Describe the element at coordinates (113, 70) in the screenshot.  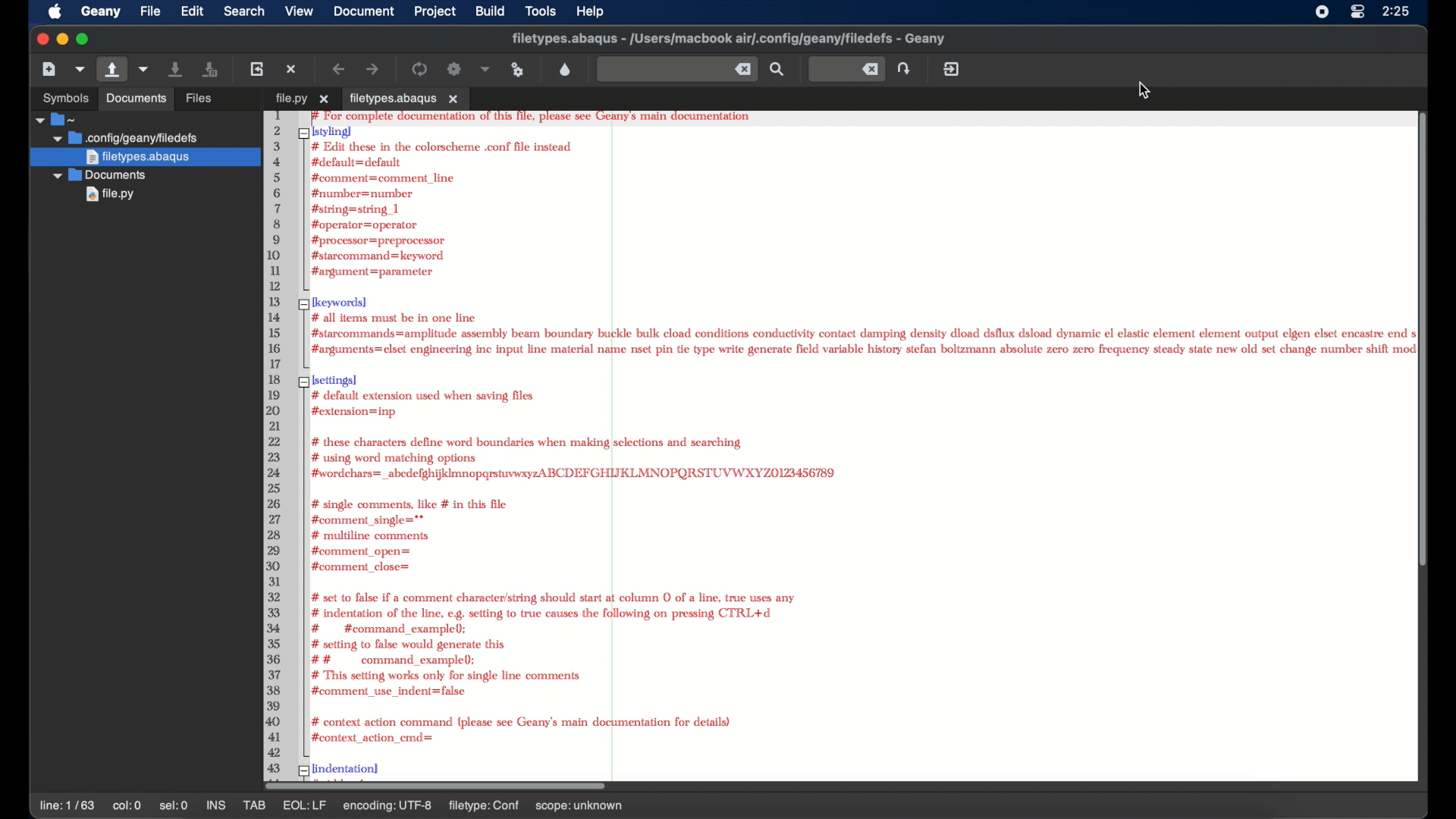
I see `open an existing file` at that location.